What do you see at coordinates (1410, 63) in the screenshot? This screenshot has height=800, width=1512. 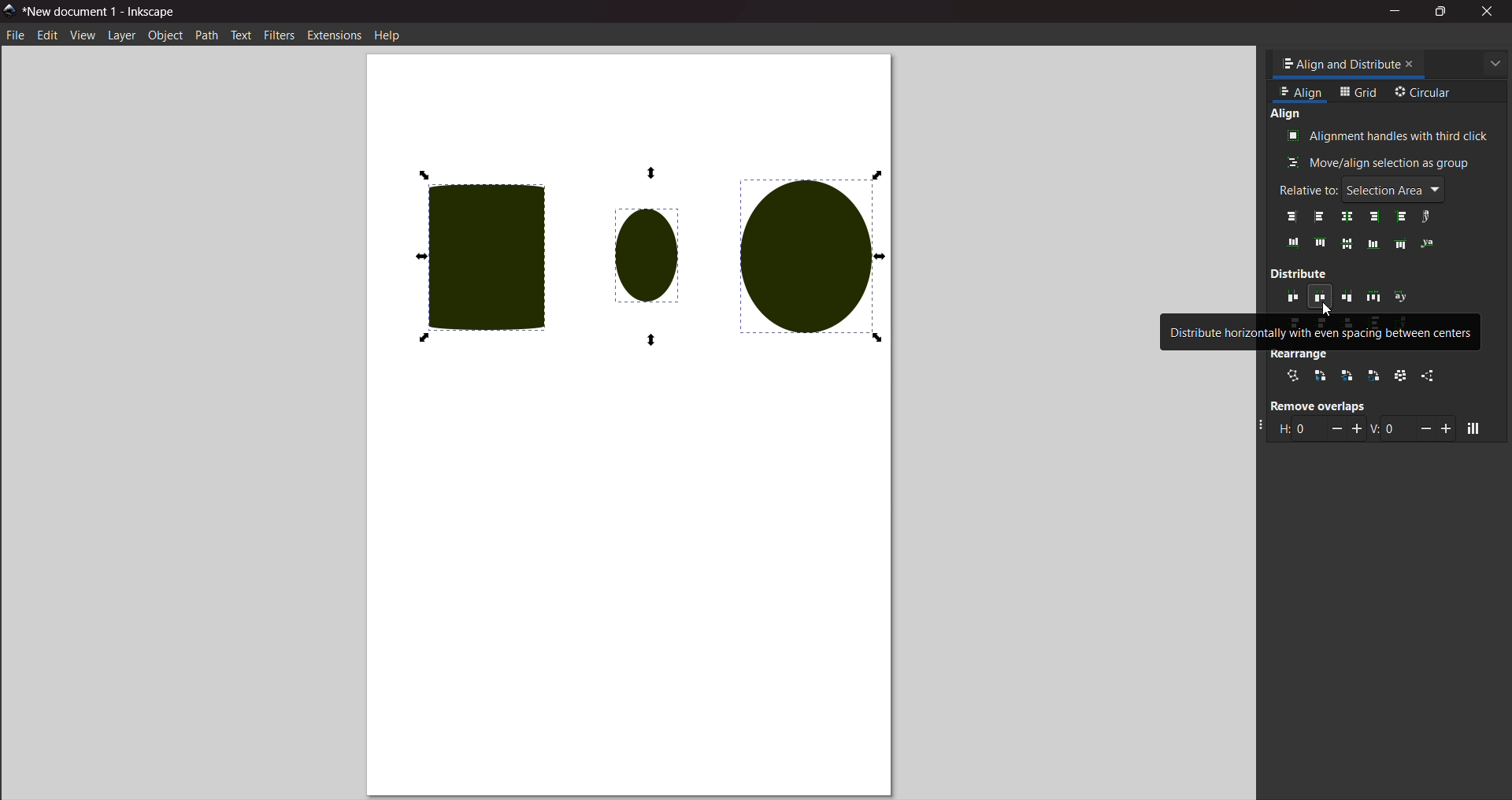 I see `close tab` at bounding box center [1410, 63].